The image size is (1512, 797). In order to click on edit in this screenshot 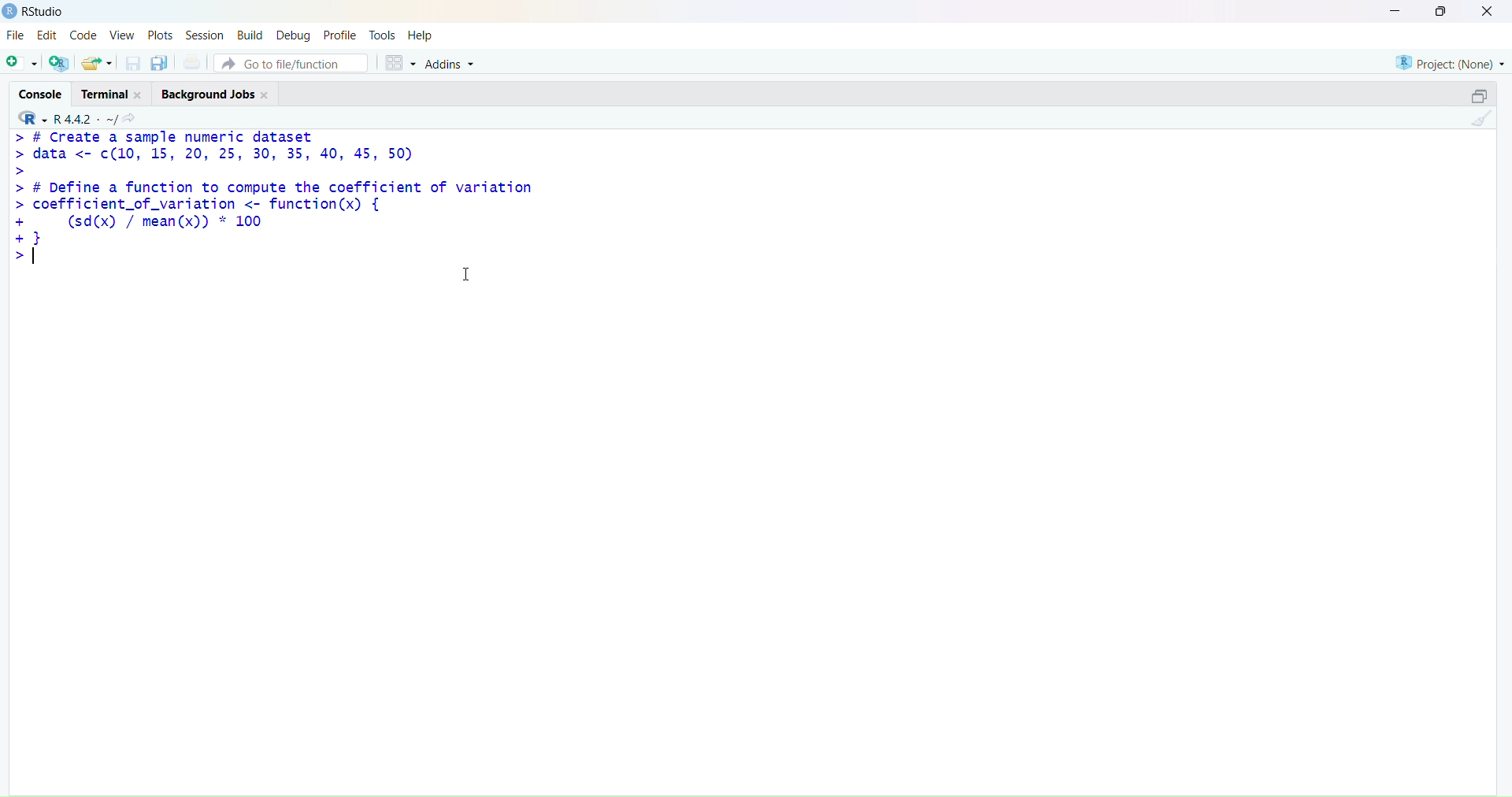, I will do `click(47, 35)`.